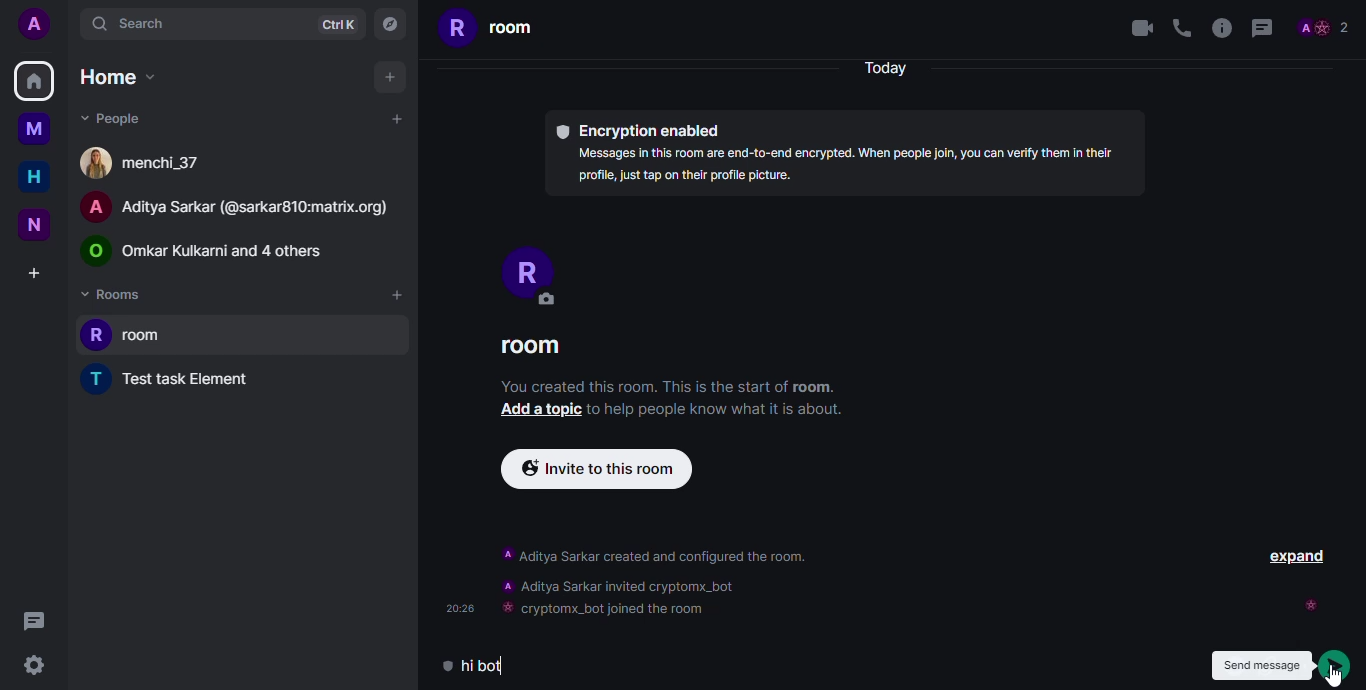 Image resolution: width=1366 pixels, height=690 pixels. I want to click on ctrlK, so click(338, 25).